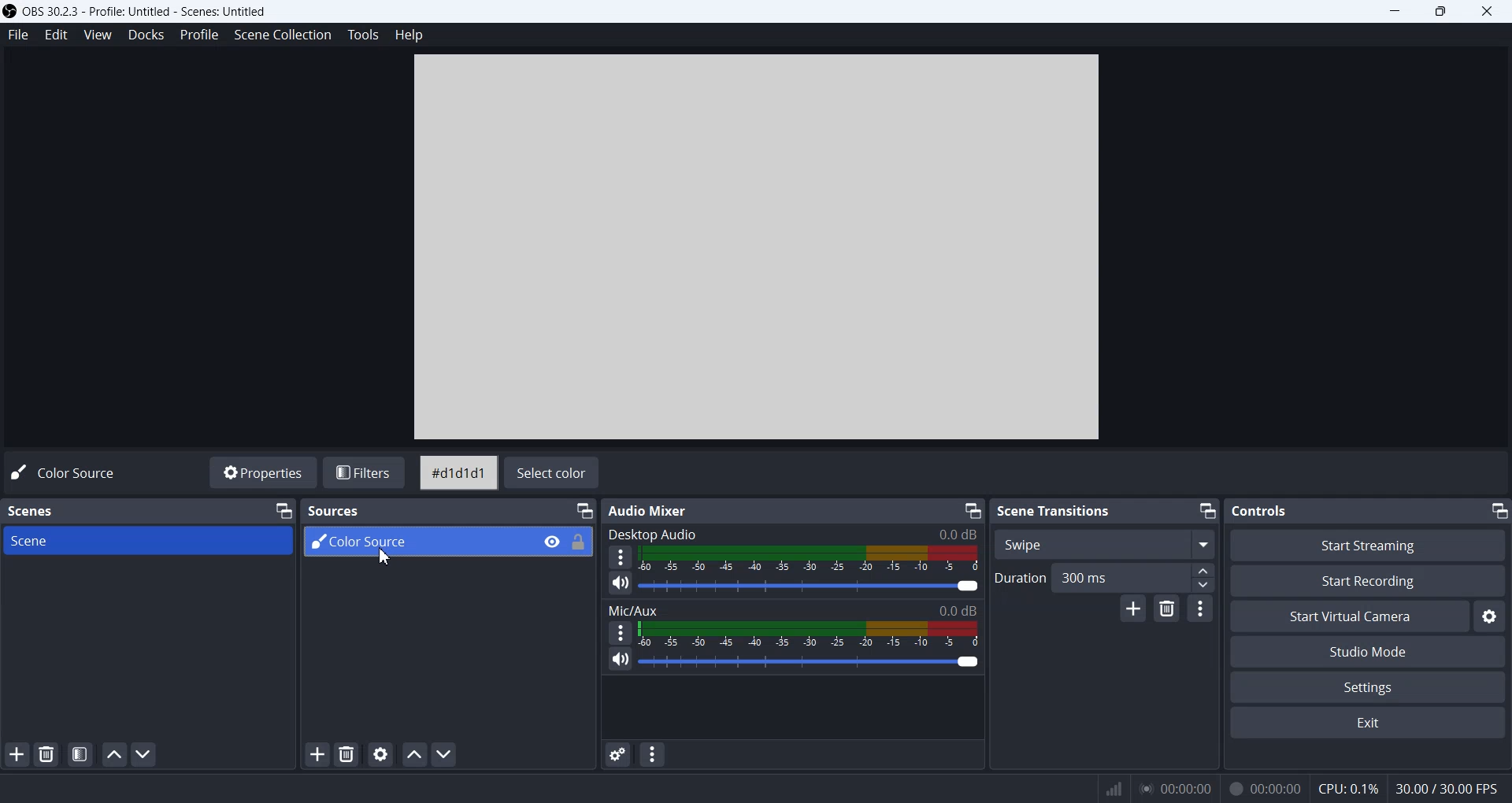 This screenshot has height=803, width=1512. I want to click on Signals, so click(1106, 787).